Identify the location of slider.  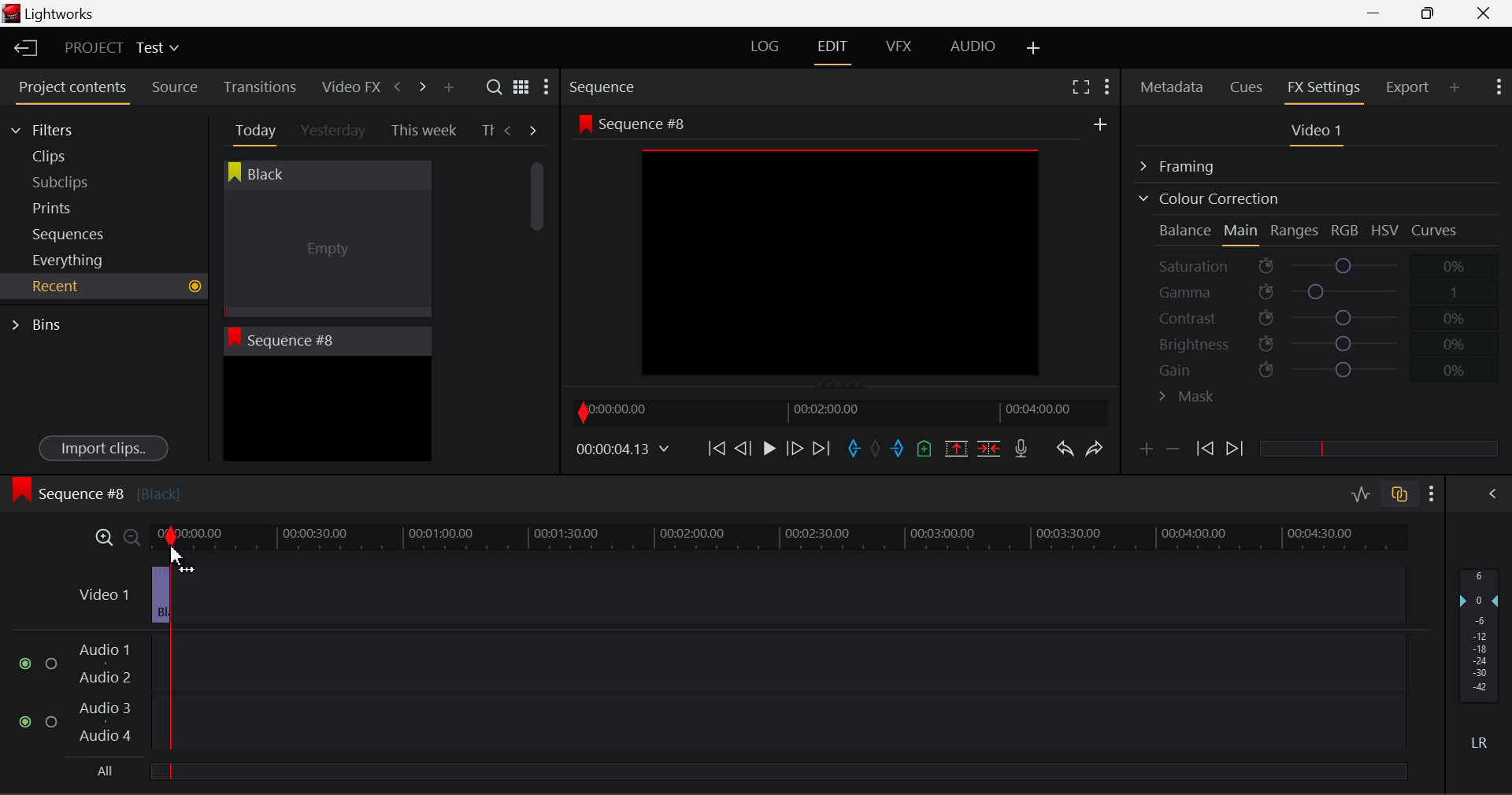
(1378, 448).